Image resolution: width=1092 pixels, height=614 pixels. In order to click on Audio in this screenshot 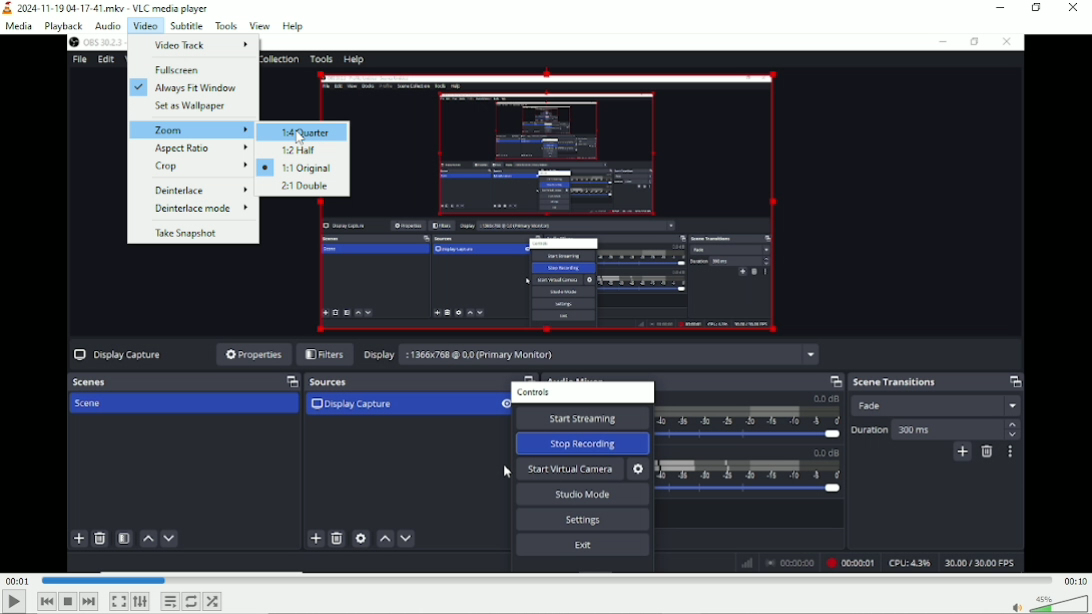, I will do `click(108, 26)`.